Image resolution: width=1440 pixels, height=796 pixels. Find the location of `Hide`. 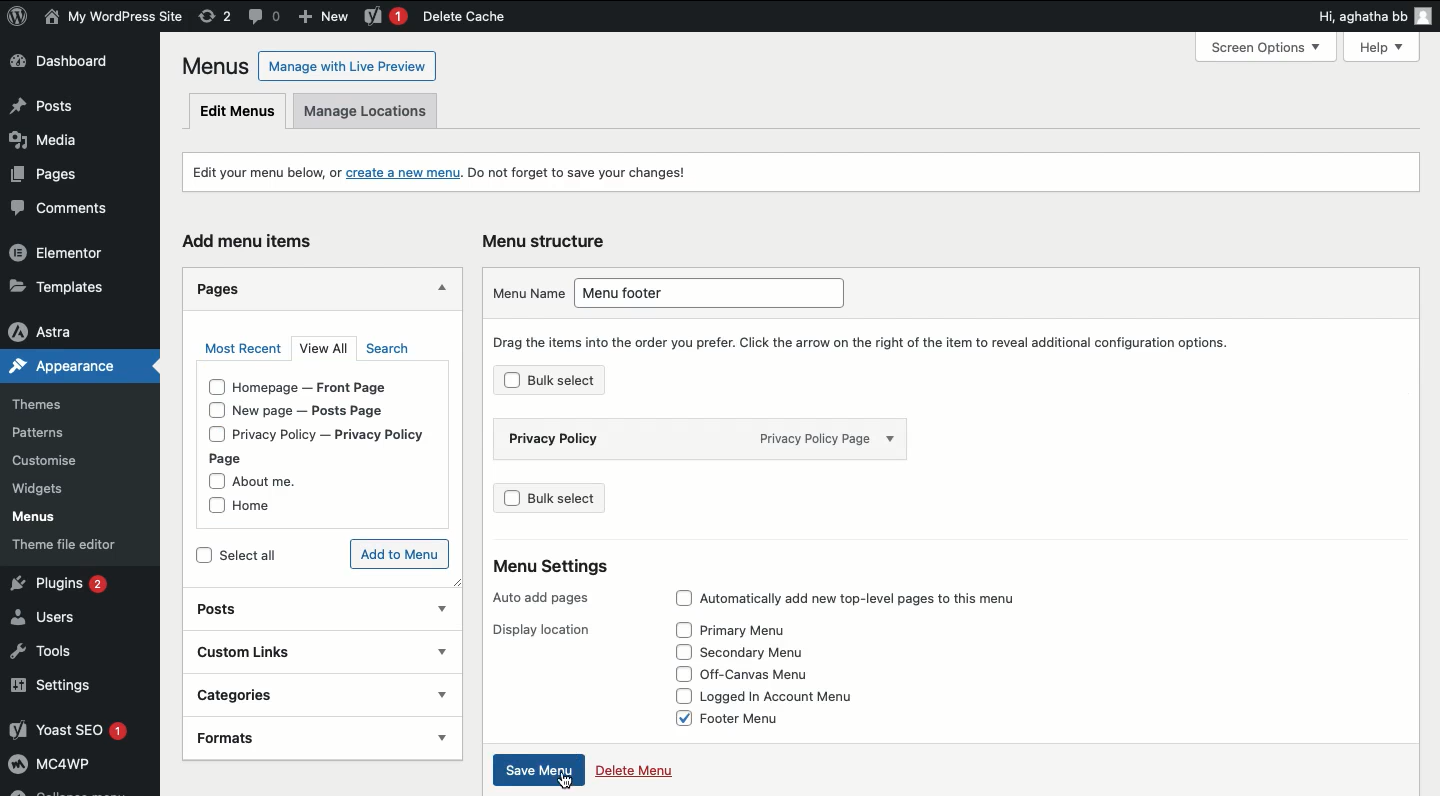

Hide is located at coordinates (443, 287).